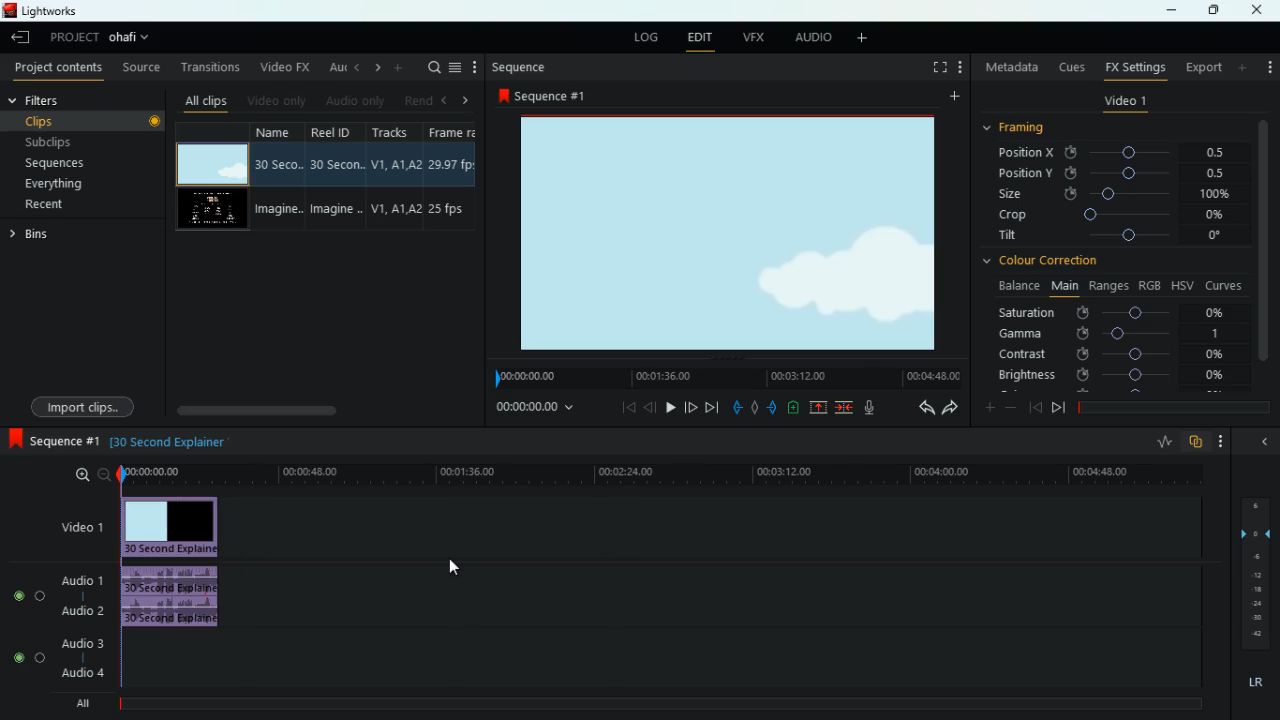 The height and width of the screenshot is (720, 1280). Describe the element at coordinates (55, 68) in the screenshot. I see `project contents` at that location.